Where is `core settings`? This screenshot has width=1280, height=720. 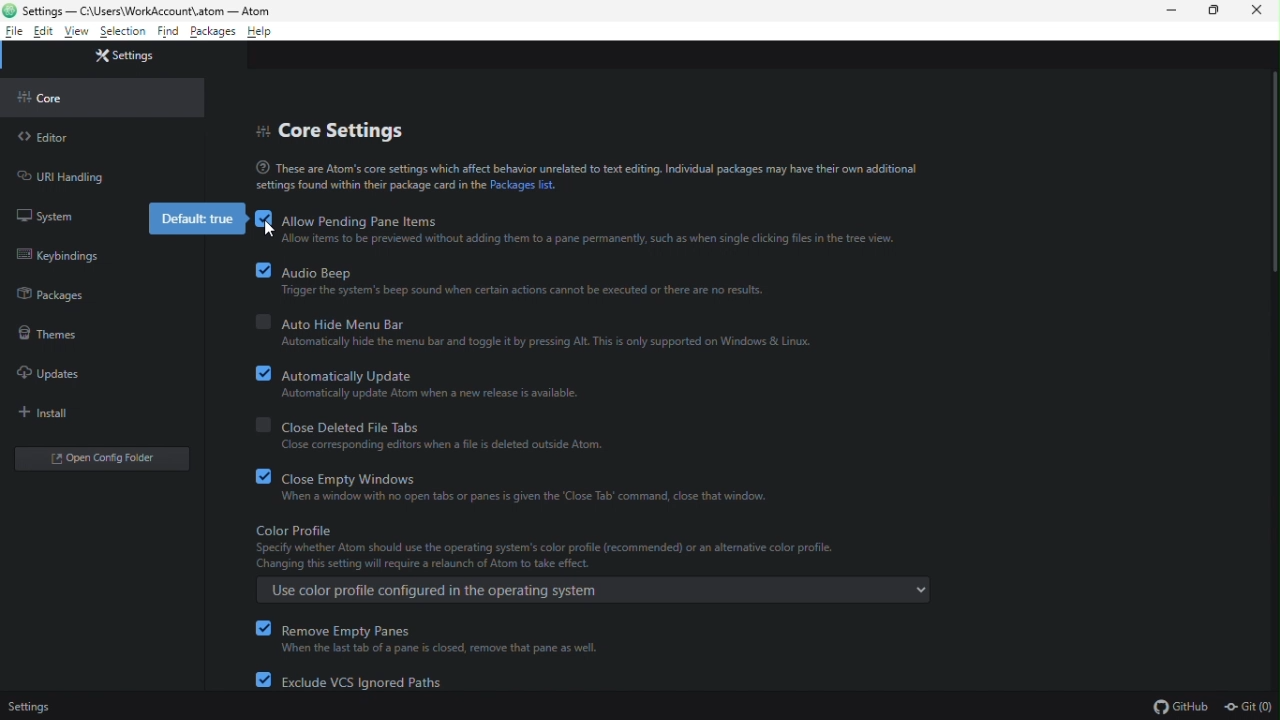 core settings is located at coordinates (334, 131).